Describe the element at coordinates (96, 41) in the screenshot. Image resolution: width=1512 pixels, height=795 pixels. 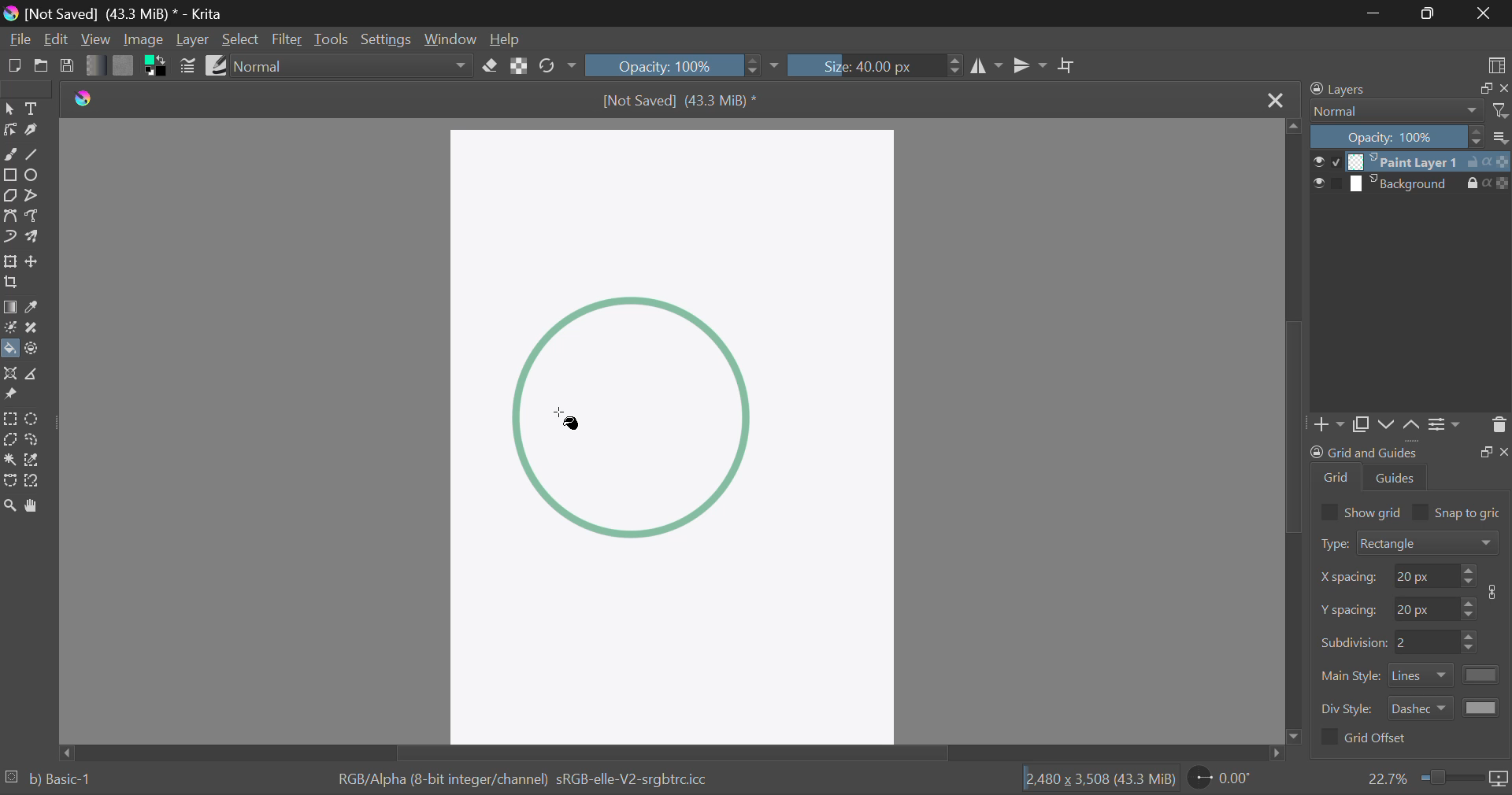
I see `View` at that location.